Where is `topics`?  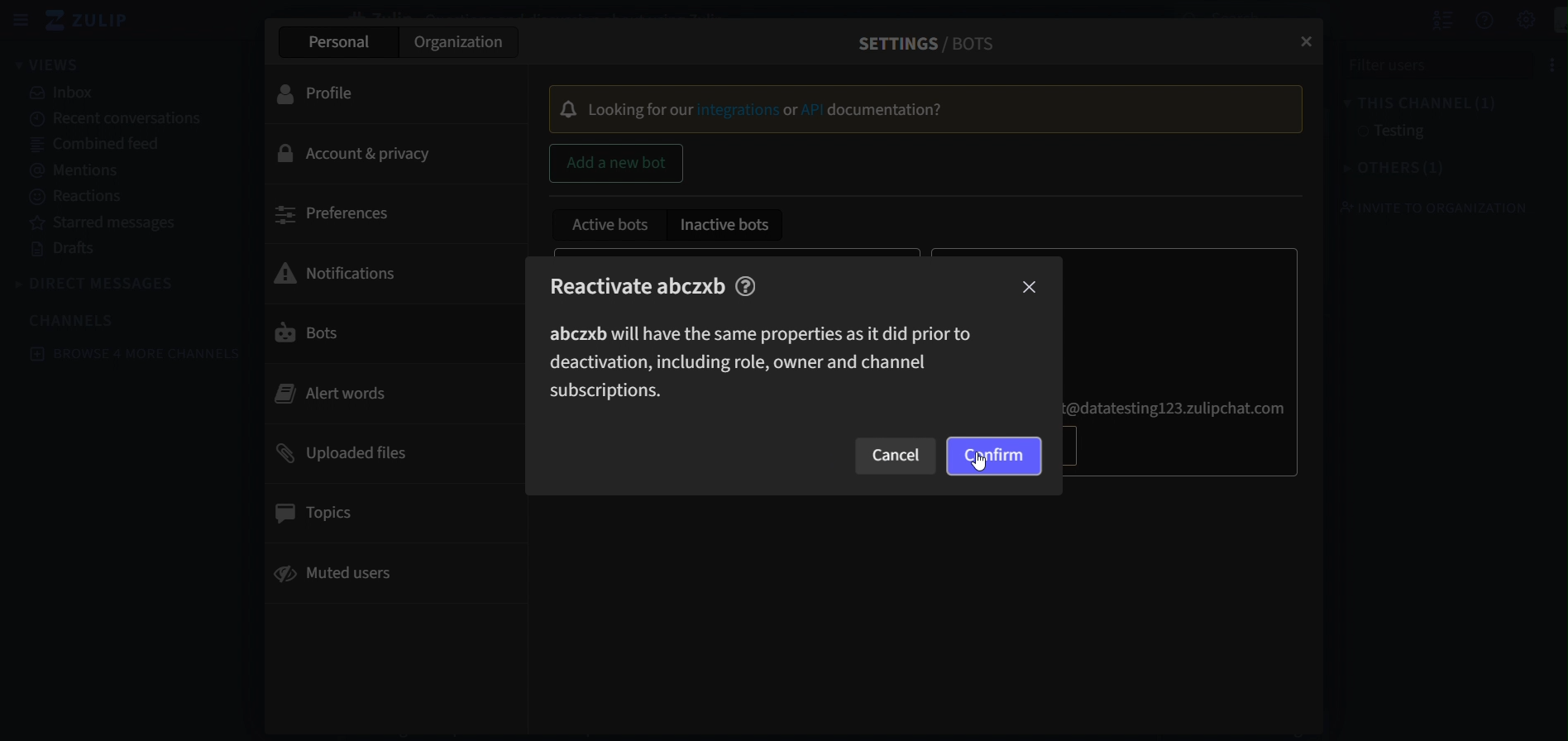 topics is located at coordinates (323, 514).